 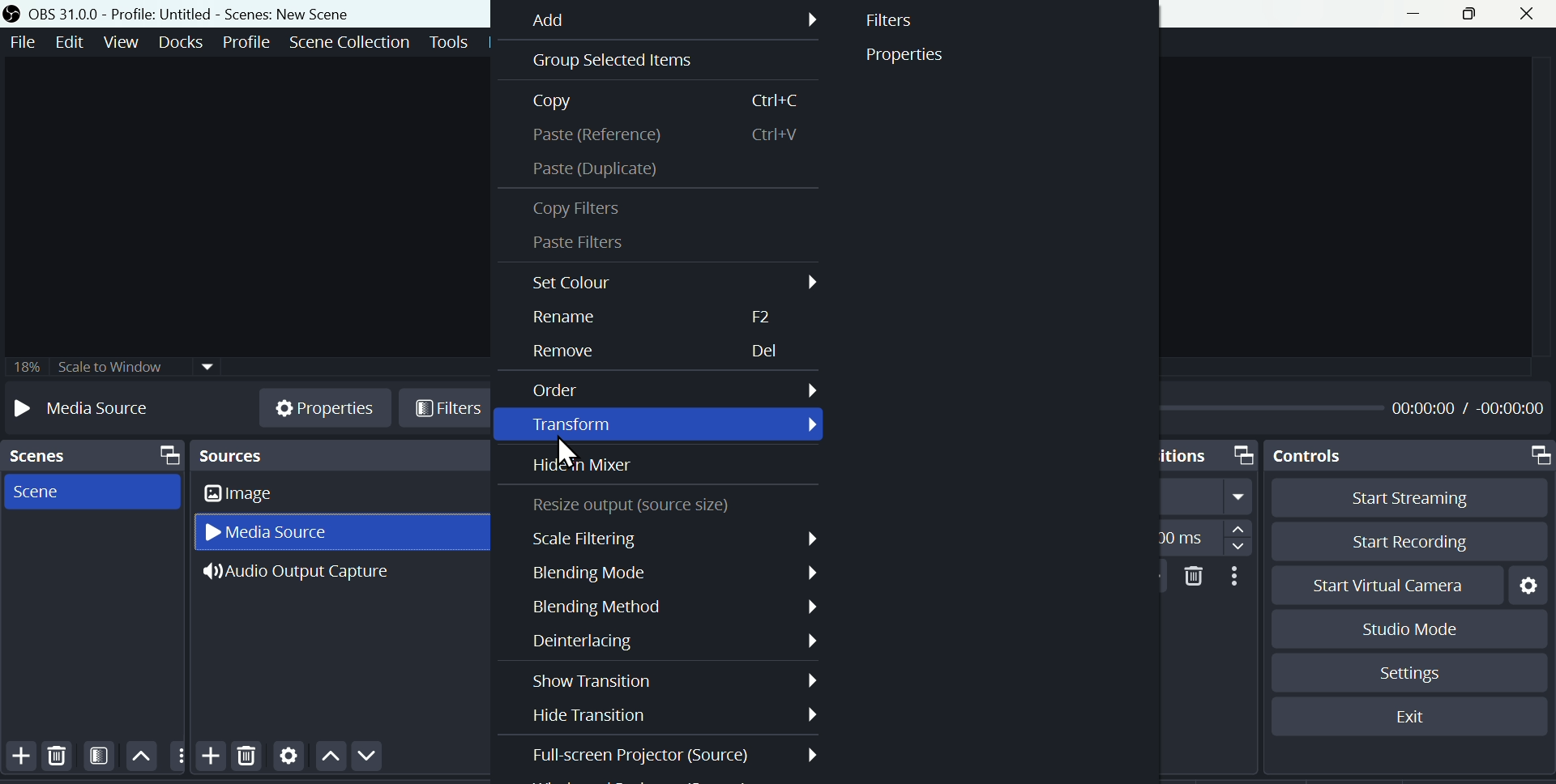 I want to click on Audio output capture, so click(x=316, y=575).